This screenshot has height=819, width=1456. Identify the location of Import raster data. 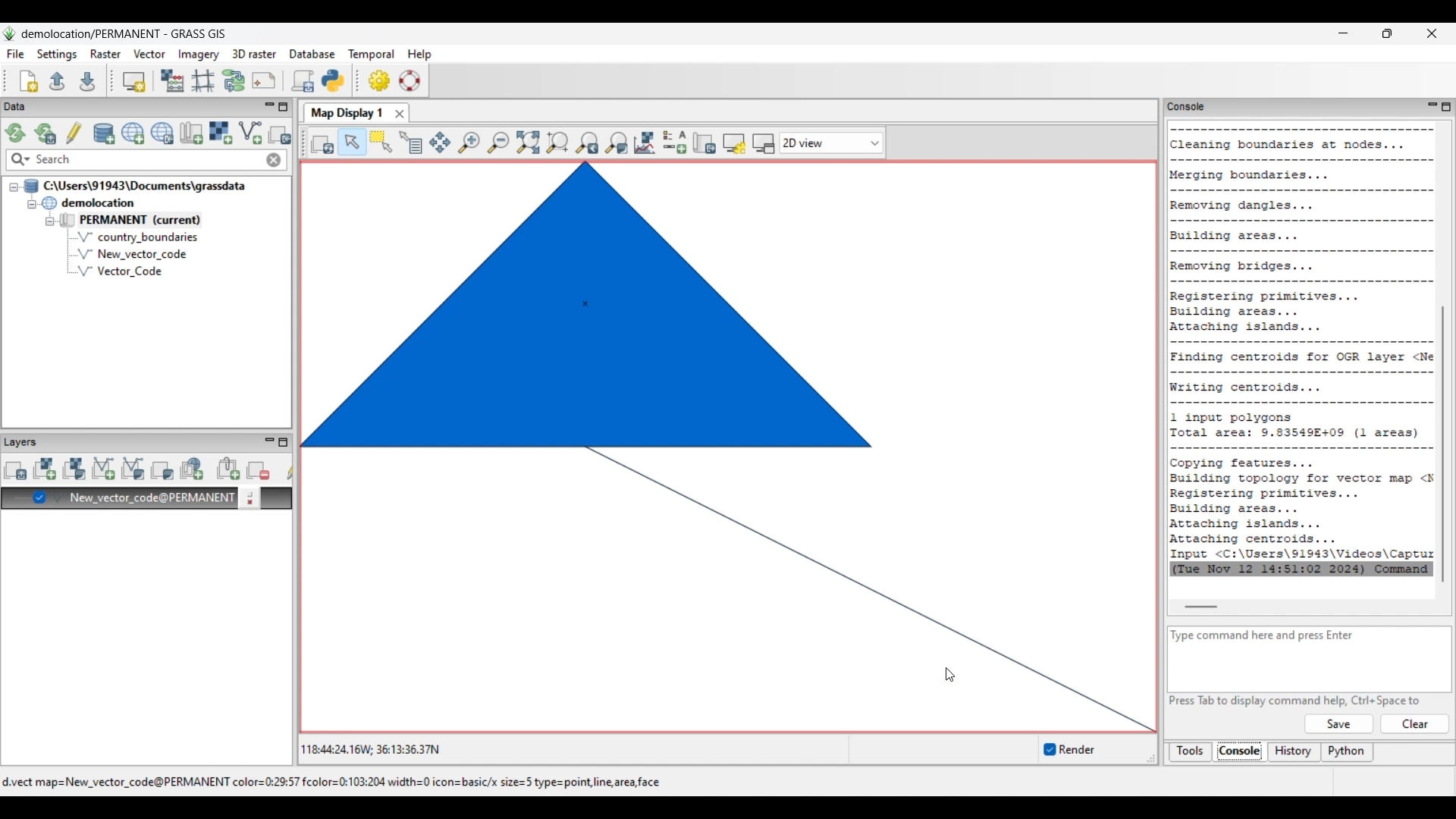
(220, 133).